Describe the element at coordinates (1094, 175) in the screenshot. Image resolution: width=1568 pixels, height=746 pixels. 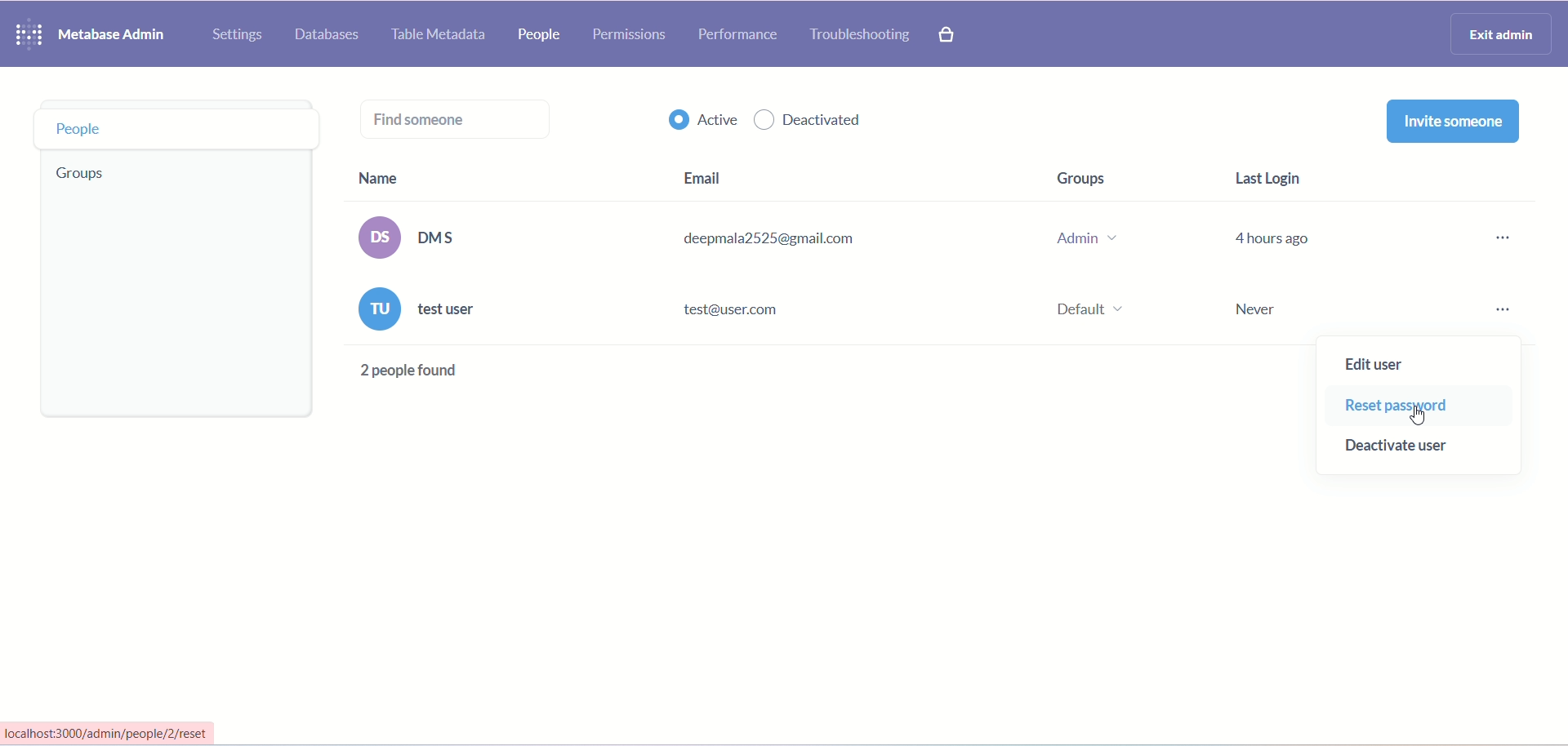
I see `groups` at that location.